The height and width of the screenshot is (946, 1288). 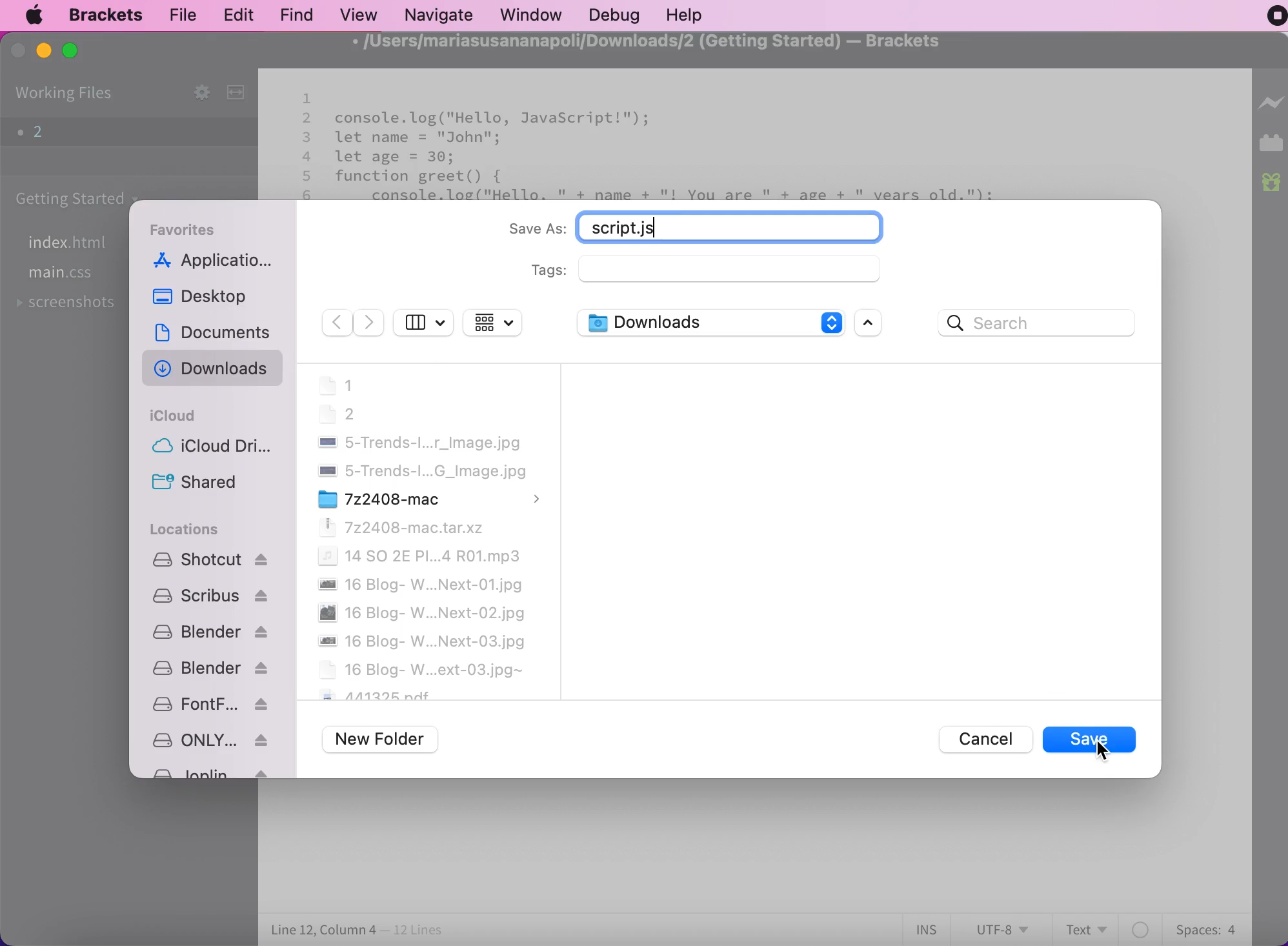 What do you see at coordinates (307, 156) in the screenshot?
I see `4` at bounding box center [307, 156].